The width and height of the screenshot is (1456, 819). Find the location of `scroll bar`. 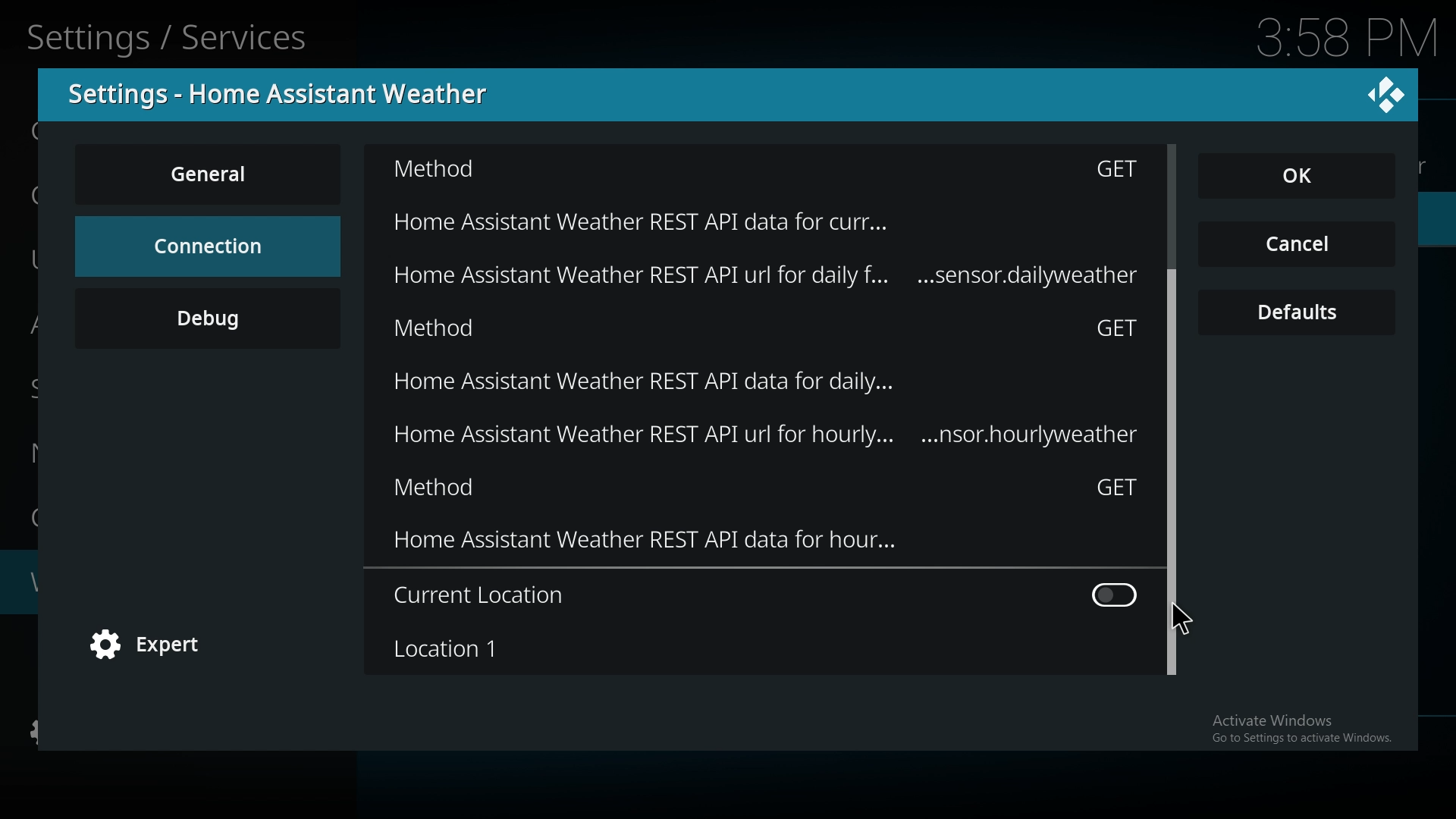

scroll bar is located at coordinates (1174, 365).